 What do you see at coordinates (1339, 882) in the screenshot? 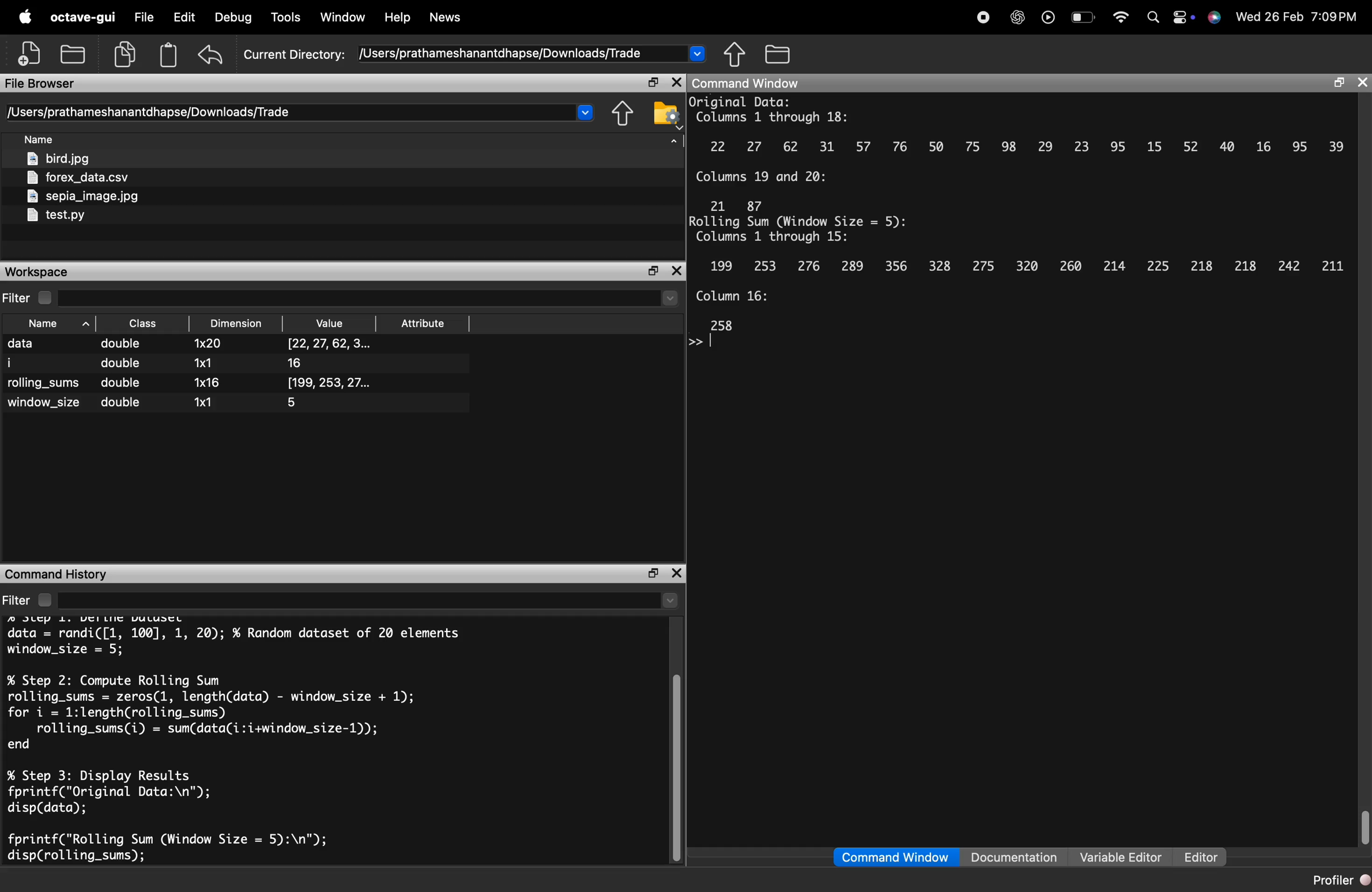
I see `profiler` at bounding box center [1339, 882].